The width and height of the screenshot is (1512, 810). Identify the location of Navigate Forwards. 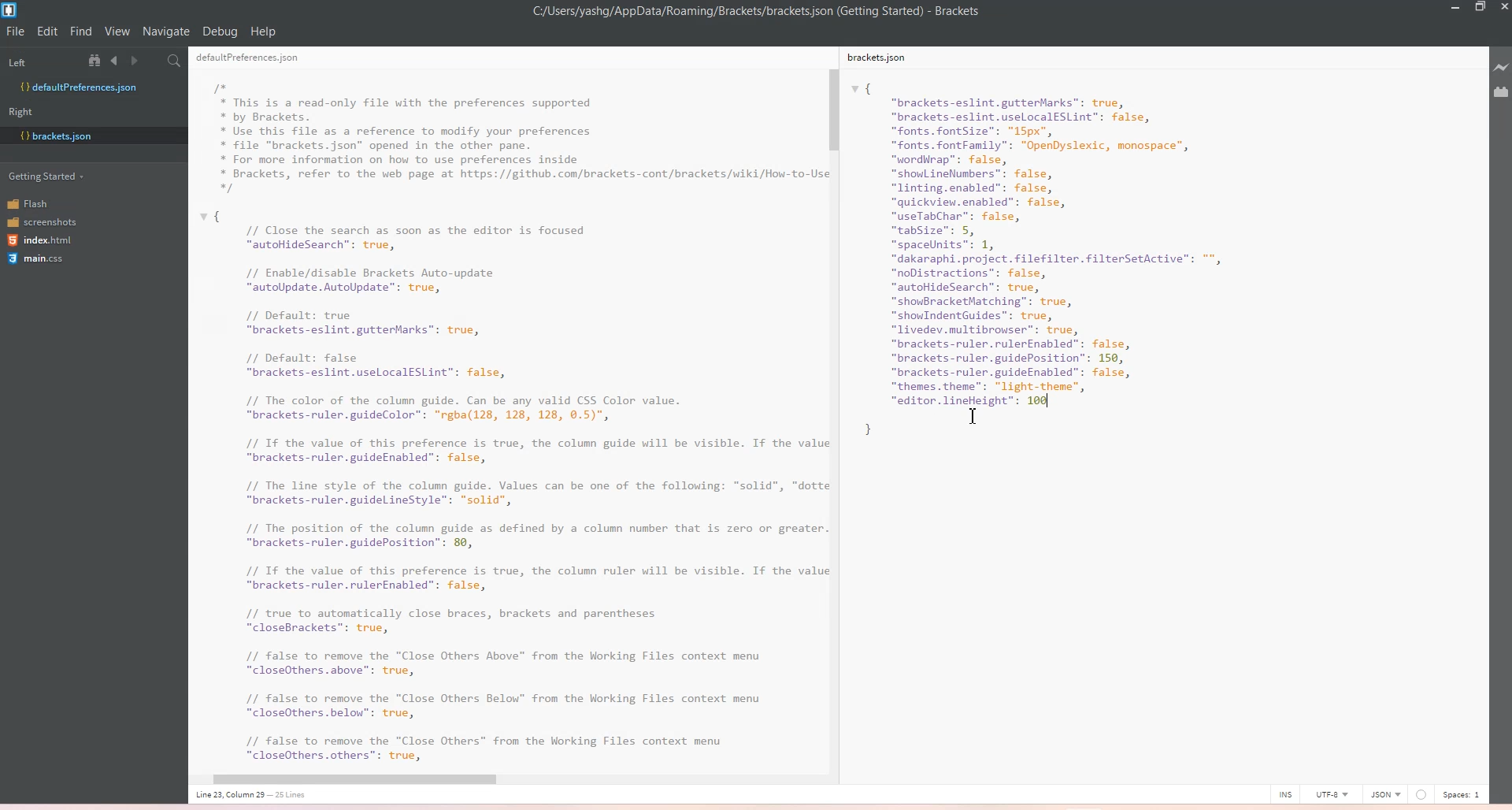
(137, 61).